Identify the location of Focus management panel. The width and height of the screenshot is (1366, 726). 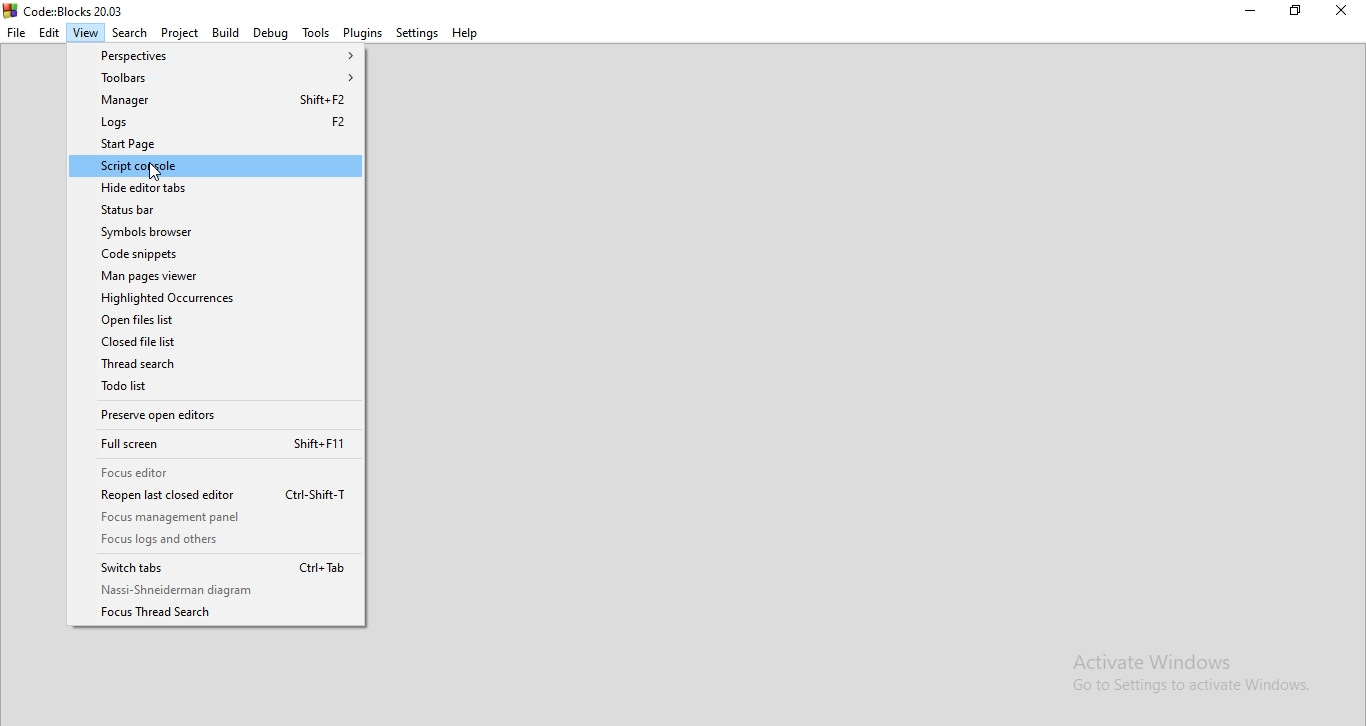
(217, 518).